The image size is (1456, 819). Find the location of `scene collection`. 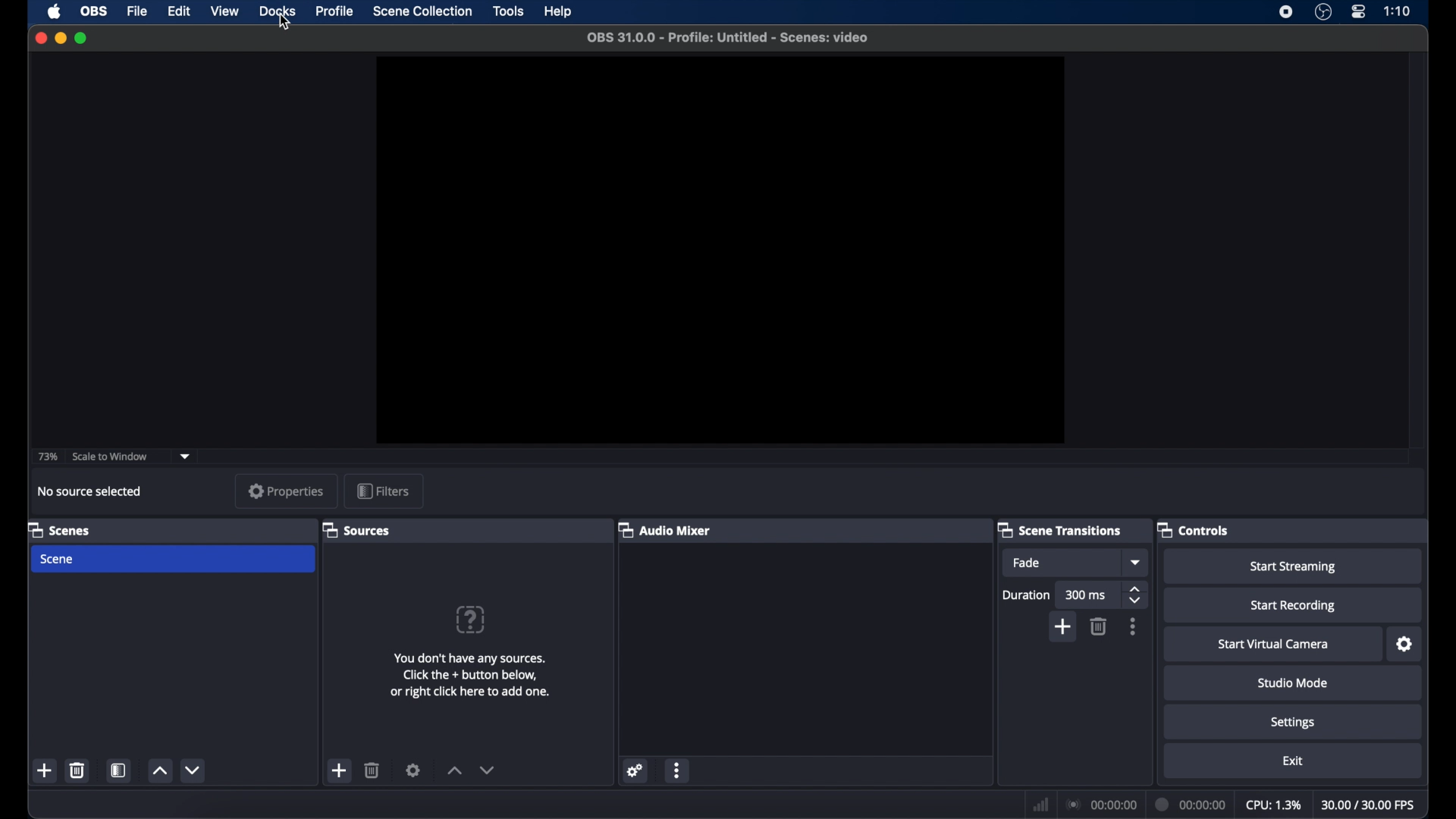

scene collection is located at coordinates (422, 11).